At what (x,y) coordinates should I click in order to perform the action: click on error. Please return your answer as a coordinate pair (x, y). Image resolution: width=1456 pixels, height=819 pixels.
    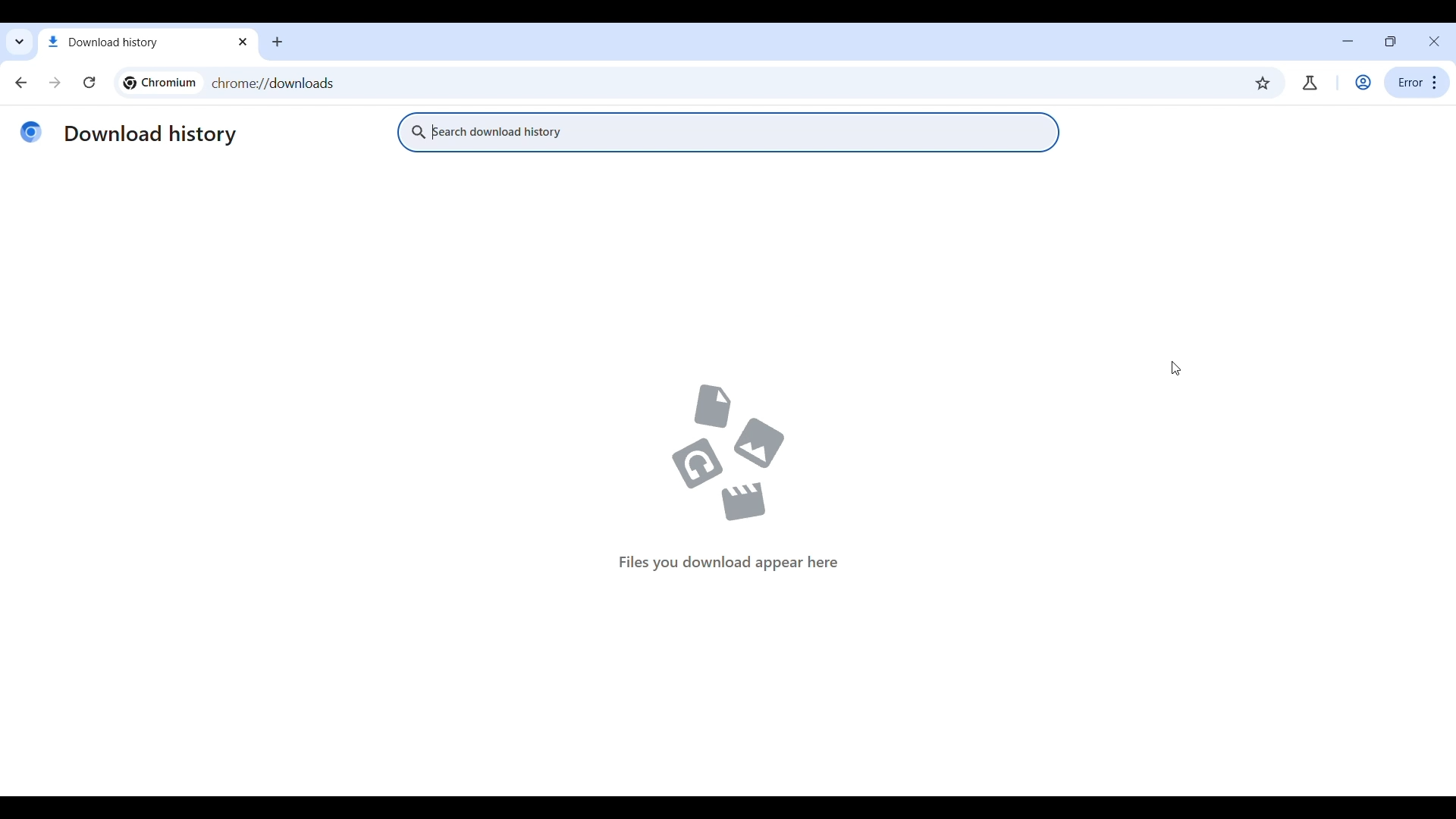
    Looking at the image, I should click on (1417, 82).